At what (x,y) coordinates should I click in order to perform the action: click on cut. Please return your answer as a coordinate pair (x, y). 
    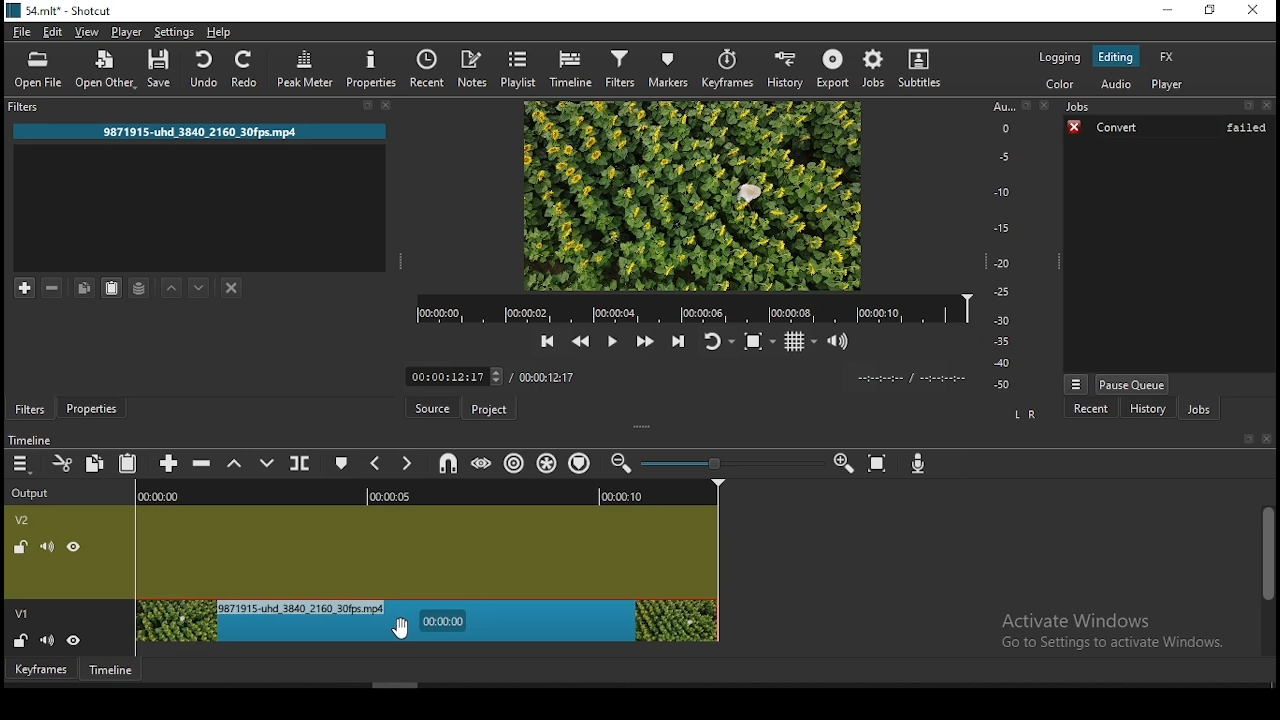
    Looking at the image, I should click on (63, 463).